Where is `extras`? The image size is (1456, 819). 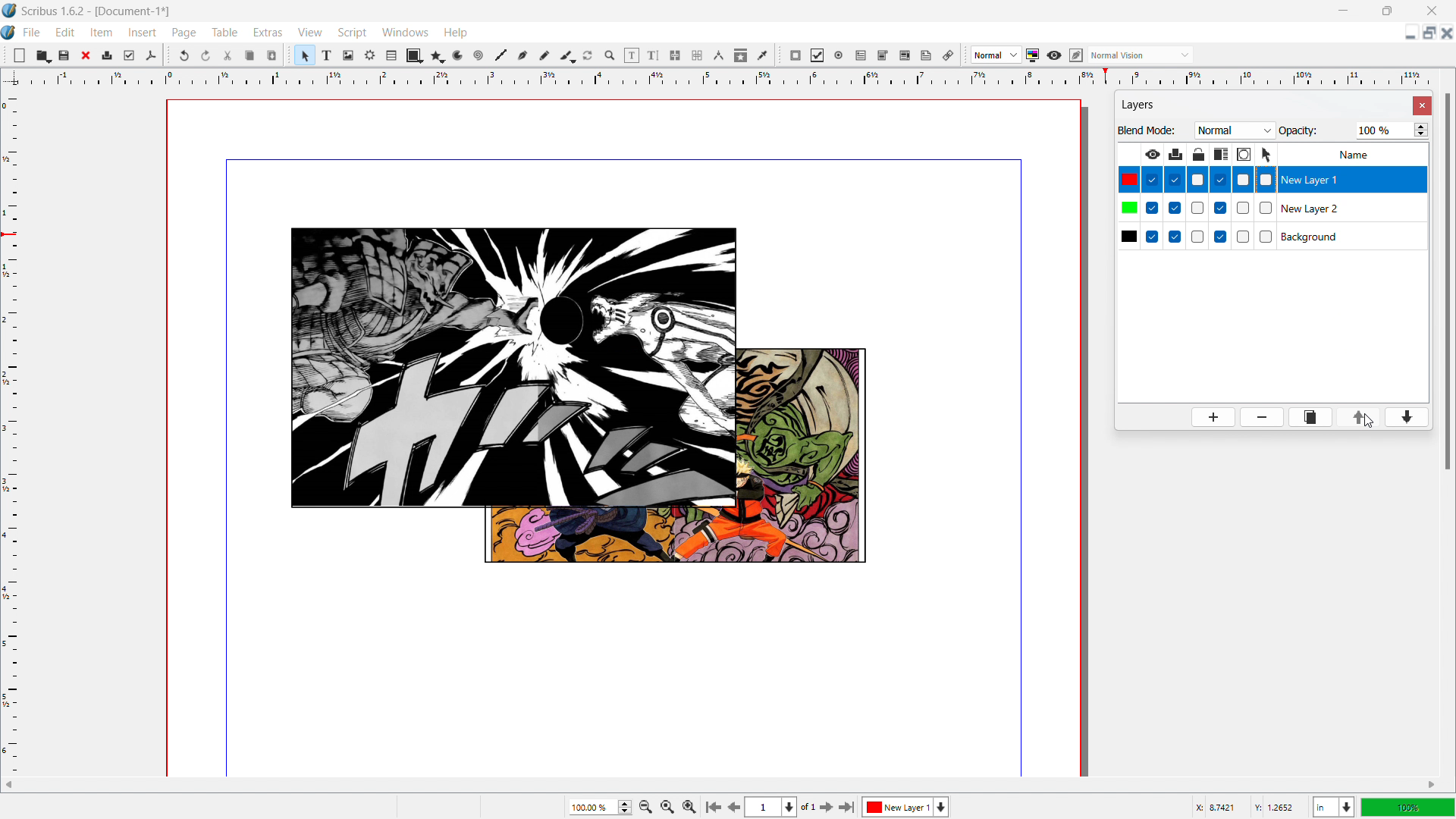 extras is located at coordinates (268, 32).